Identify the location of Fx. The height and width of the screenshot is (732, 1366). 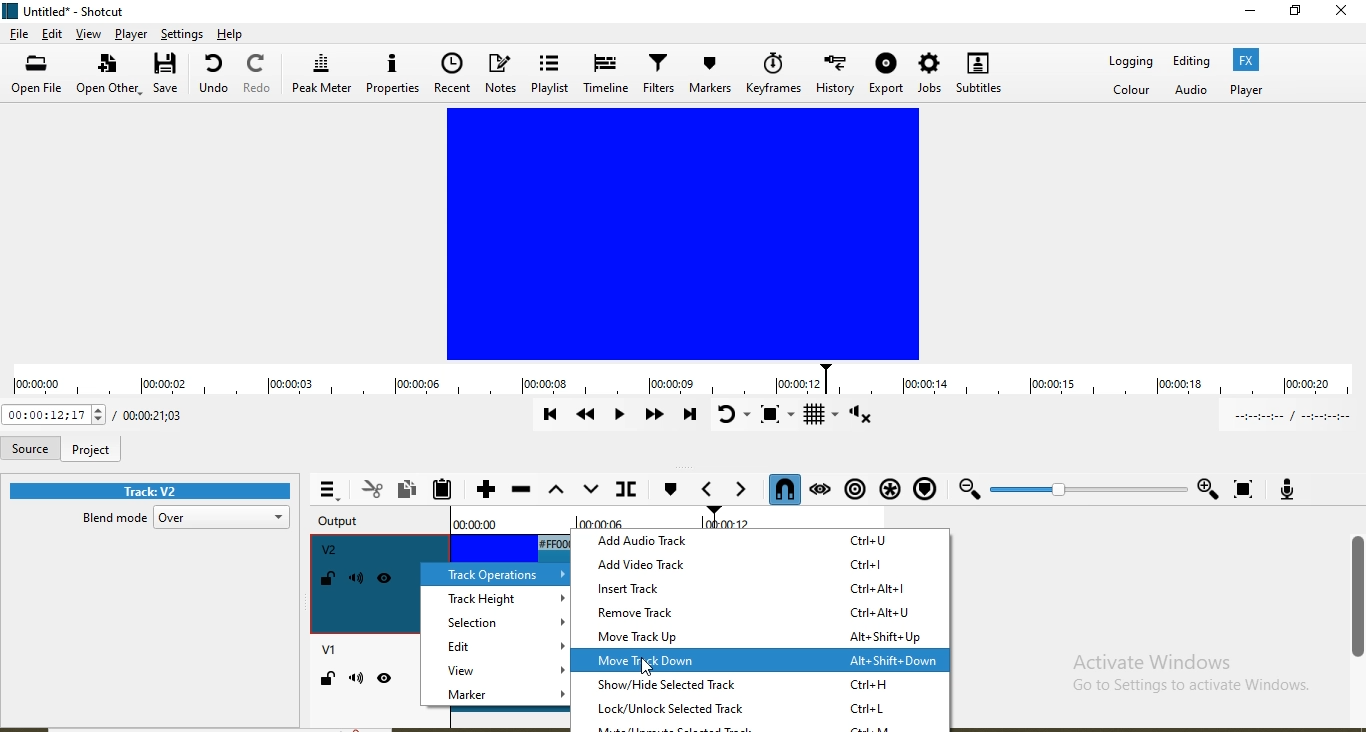
(1247, 60).